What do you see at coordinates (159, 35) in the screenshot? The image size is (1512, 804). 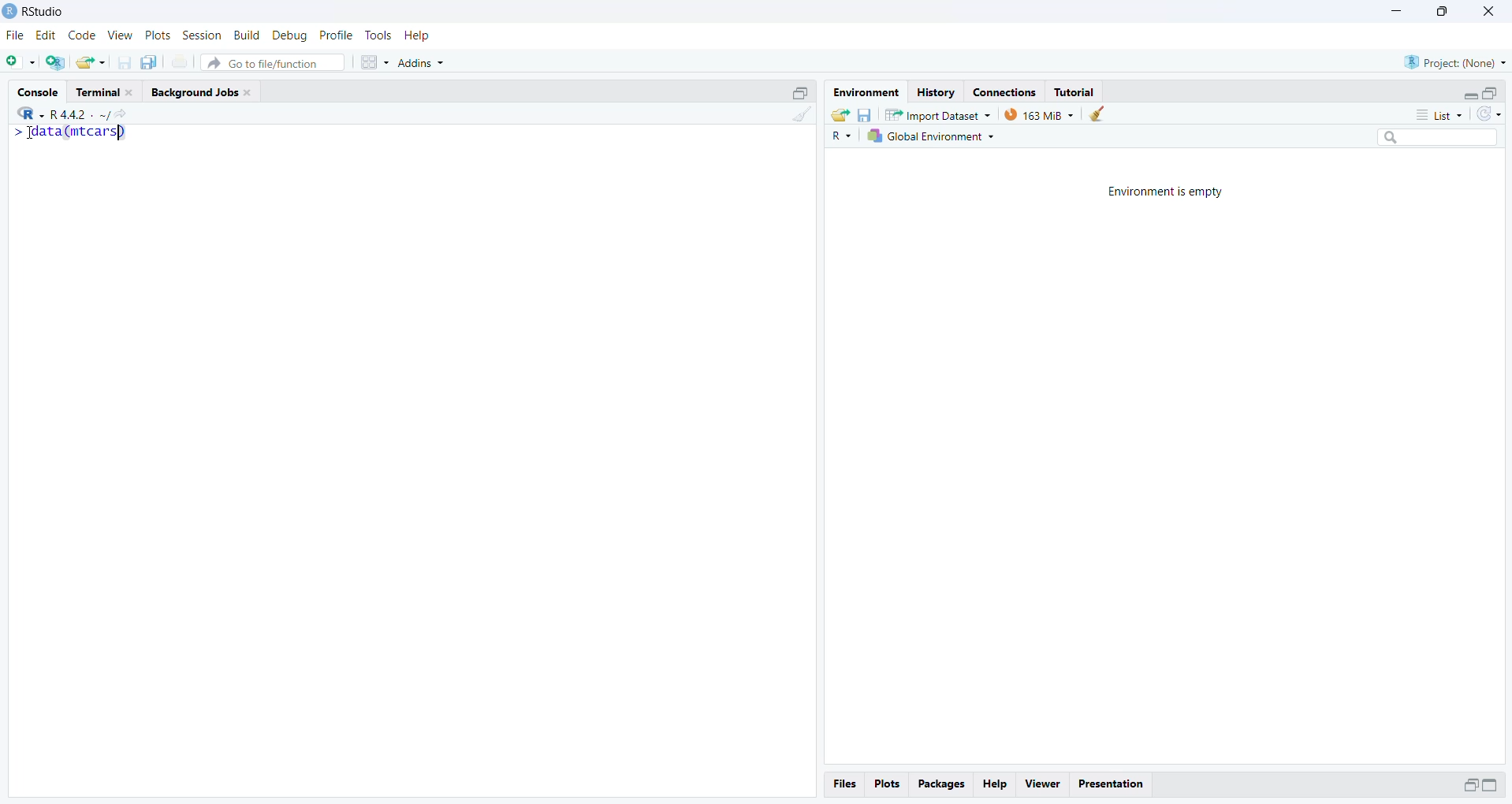 I see `plots` at bounding box center [159, 35].